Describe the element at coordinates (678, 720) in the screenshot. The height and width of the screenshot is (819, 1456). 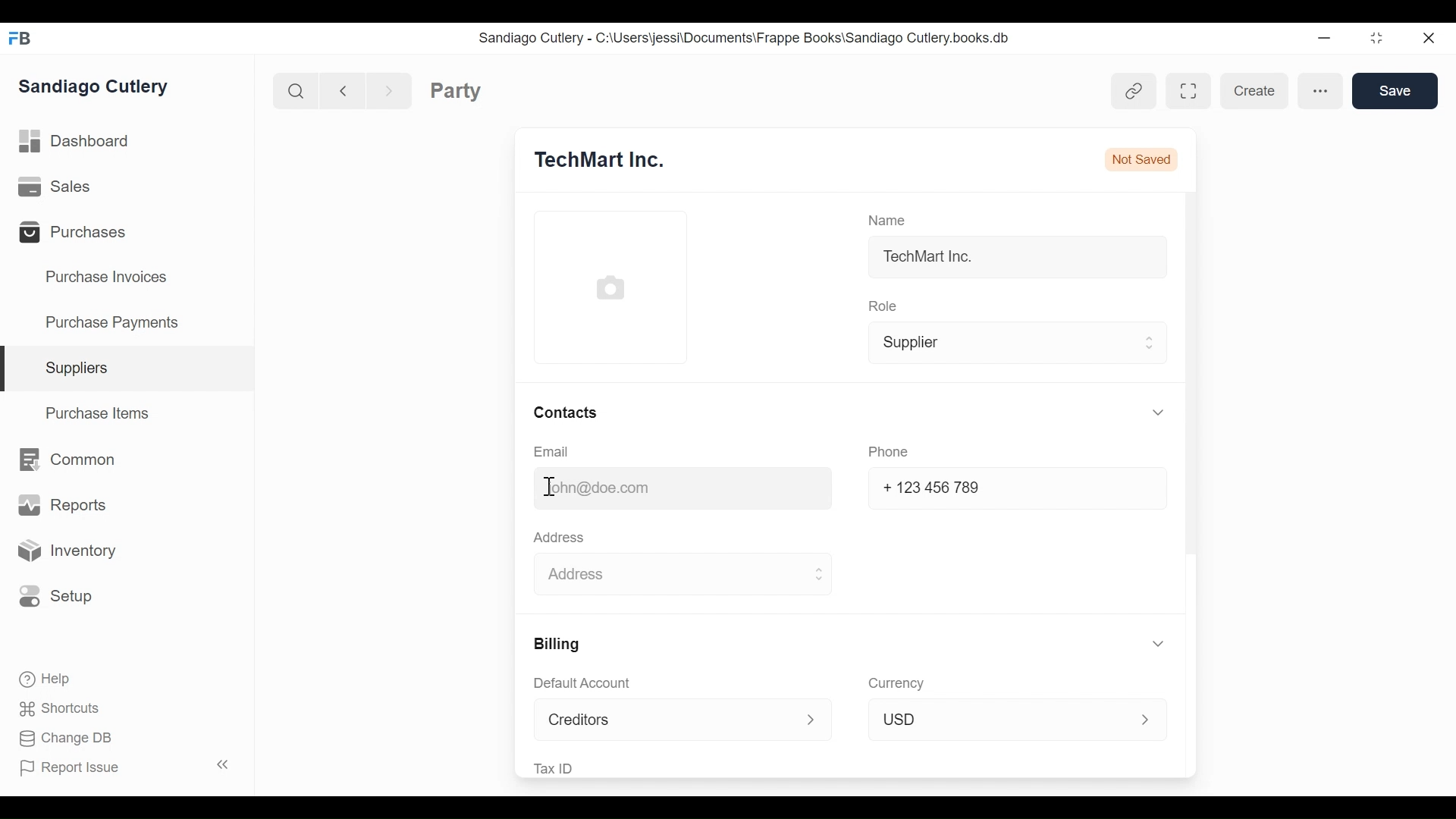
I see `Creditors >` at that location.